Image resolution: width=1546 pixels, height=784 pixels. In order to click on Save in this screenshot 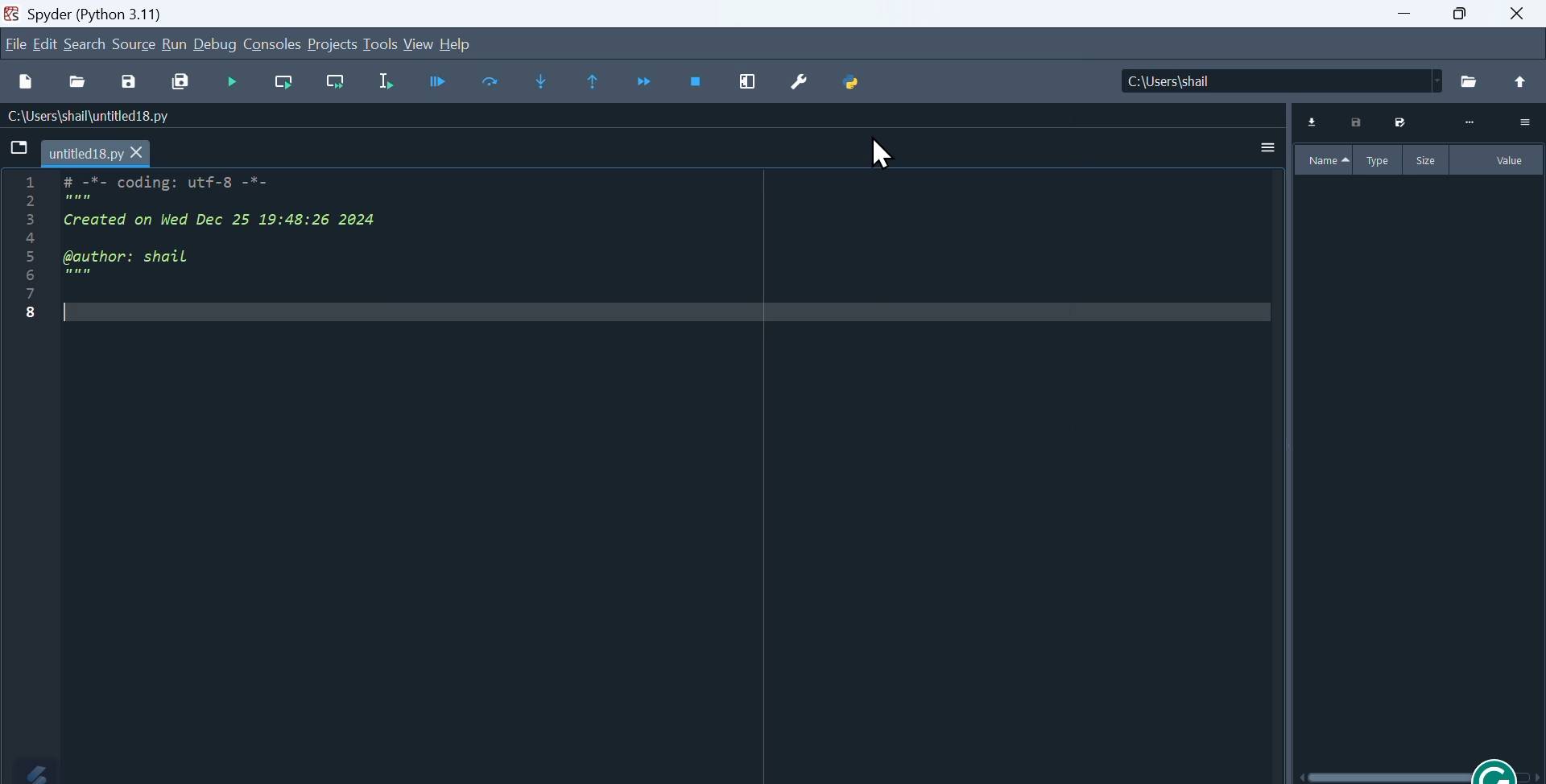, I will do `click(129, 79)`.